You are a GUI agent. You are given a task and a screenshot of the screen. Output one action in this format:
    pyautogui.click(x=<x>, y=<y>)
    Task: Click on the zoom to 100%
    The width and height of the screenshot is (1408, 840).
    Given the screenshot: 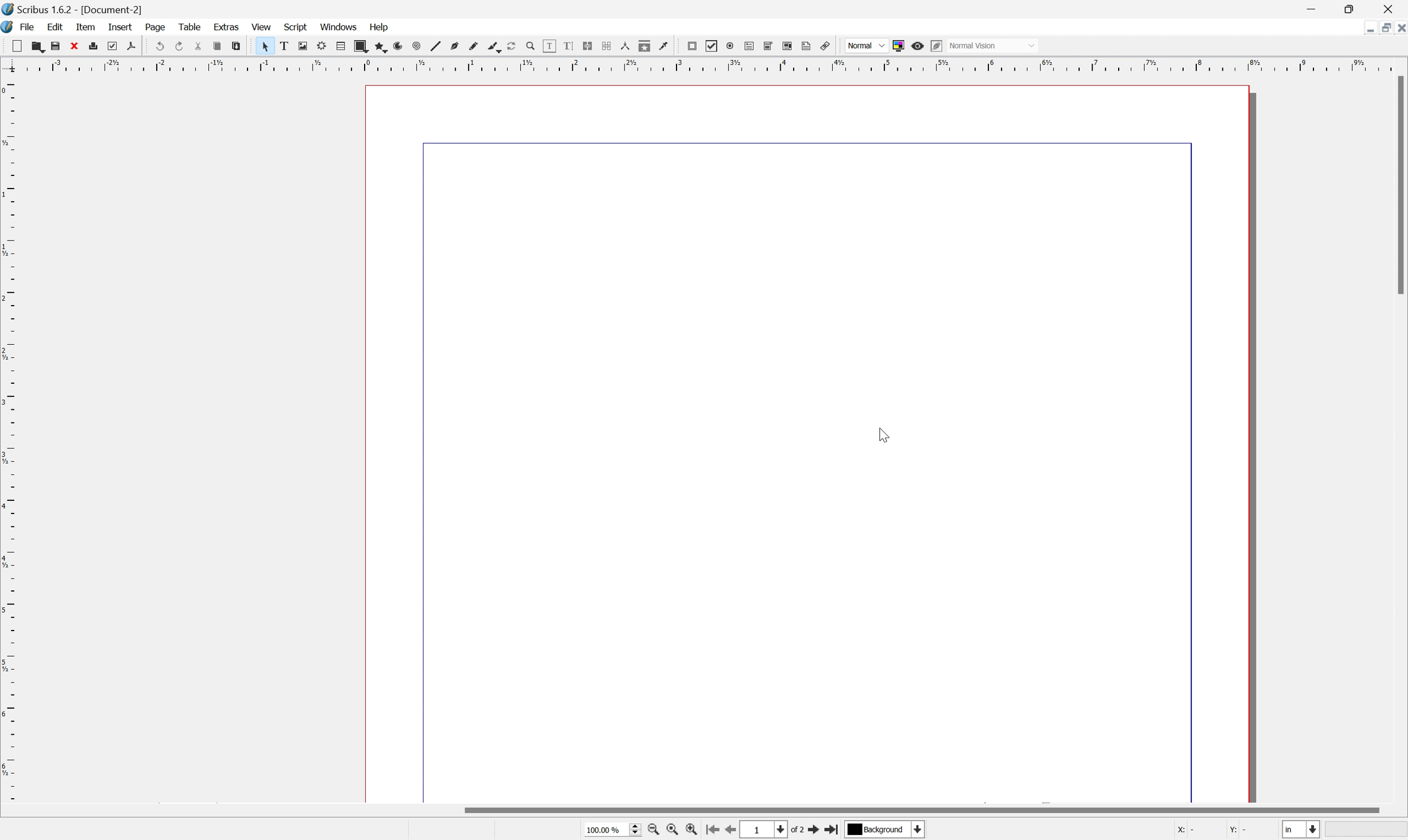 What is the action you would take?
    pyautogui.click(x=674, y=830)
    